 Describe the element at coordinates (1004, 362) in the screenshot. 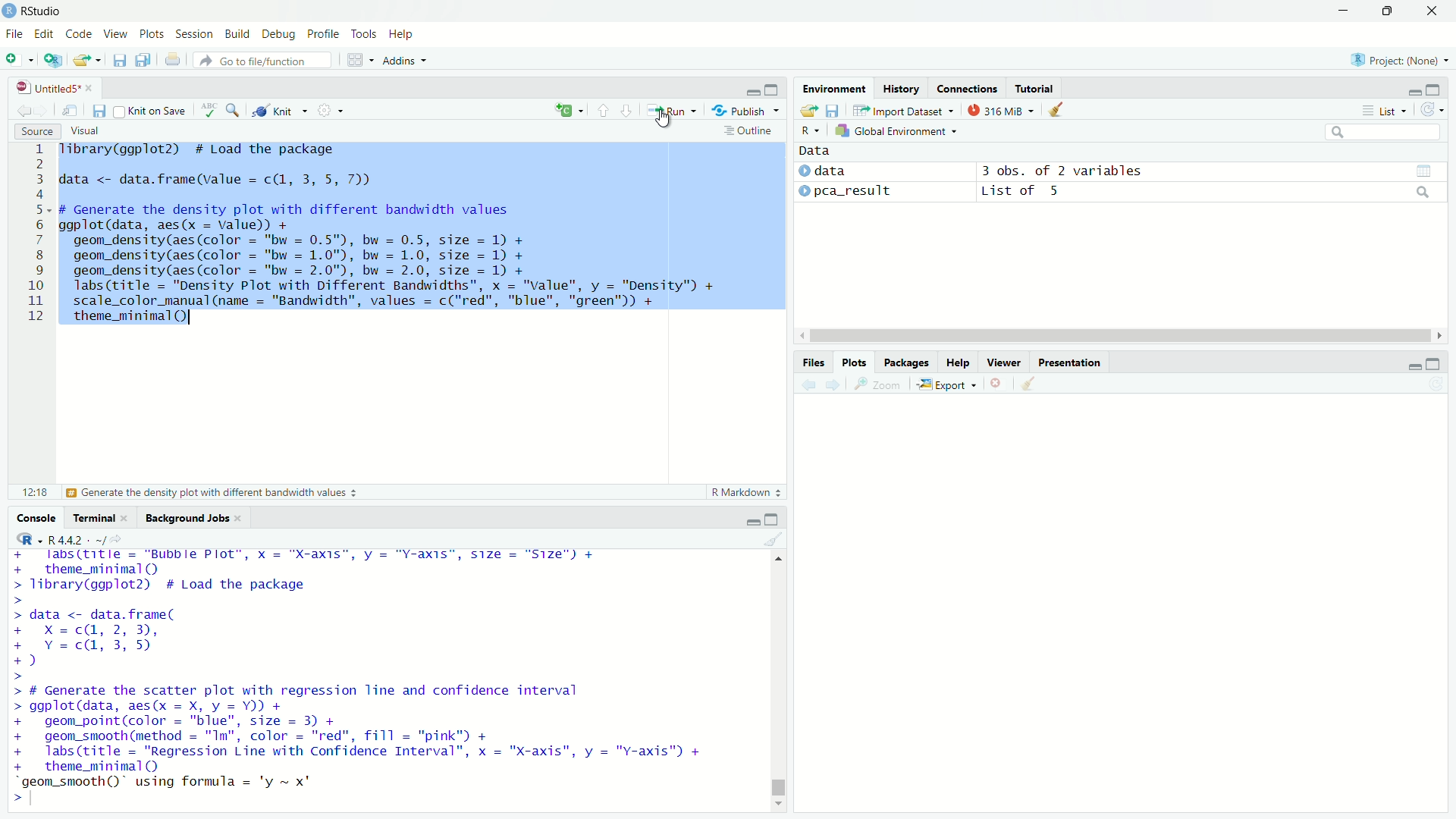

I see `Viewer` at that location.